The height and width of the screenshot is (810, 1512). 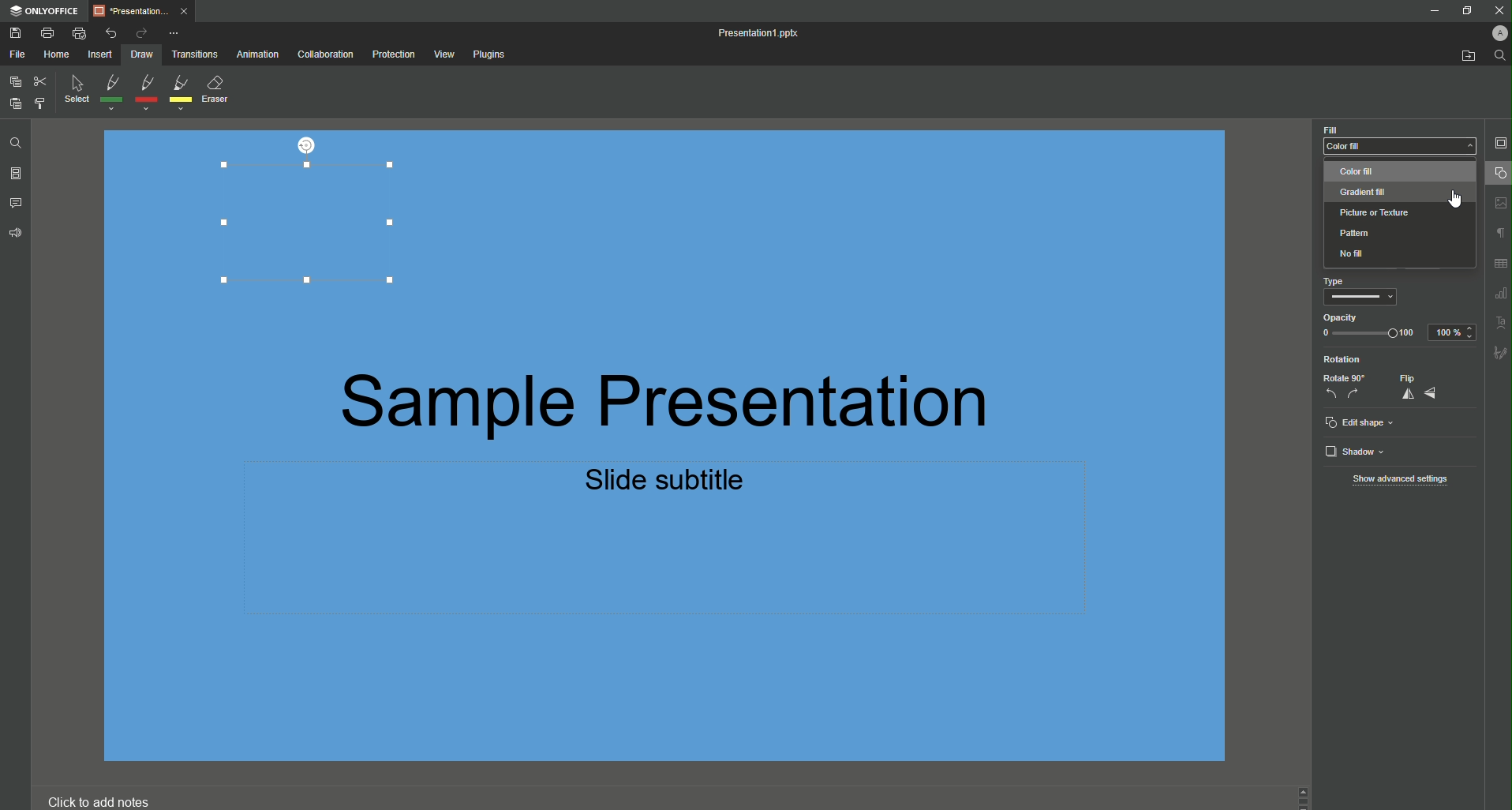 What do you see at coordinates (1454, 332) in the screenshot?
I see `100%` at bounding box center [1454, 332].